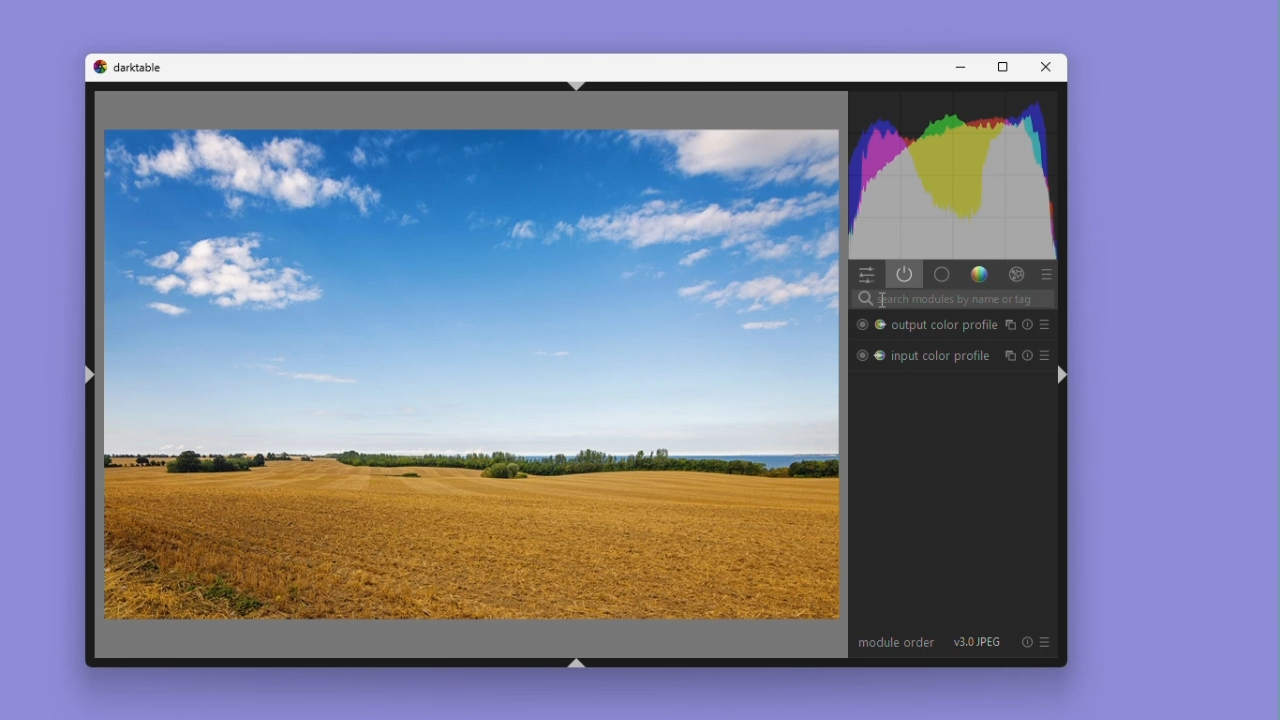 The width and height of the screenshot is (1280, 720). I want to click on darktable, so click(139, 68).